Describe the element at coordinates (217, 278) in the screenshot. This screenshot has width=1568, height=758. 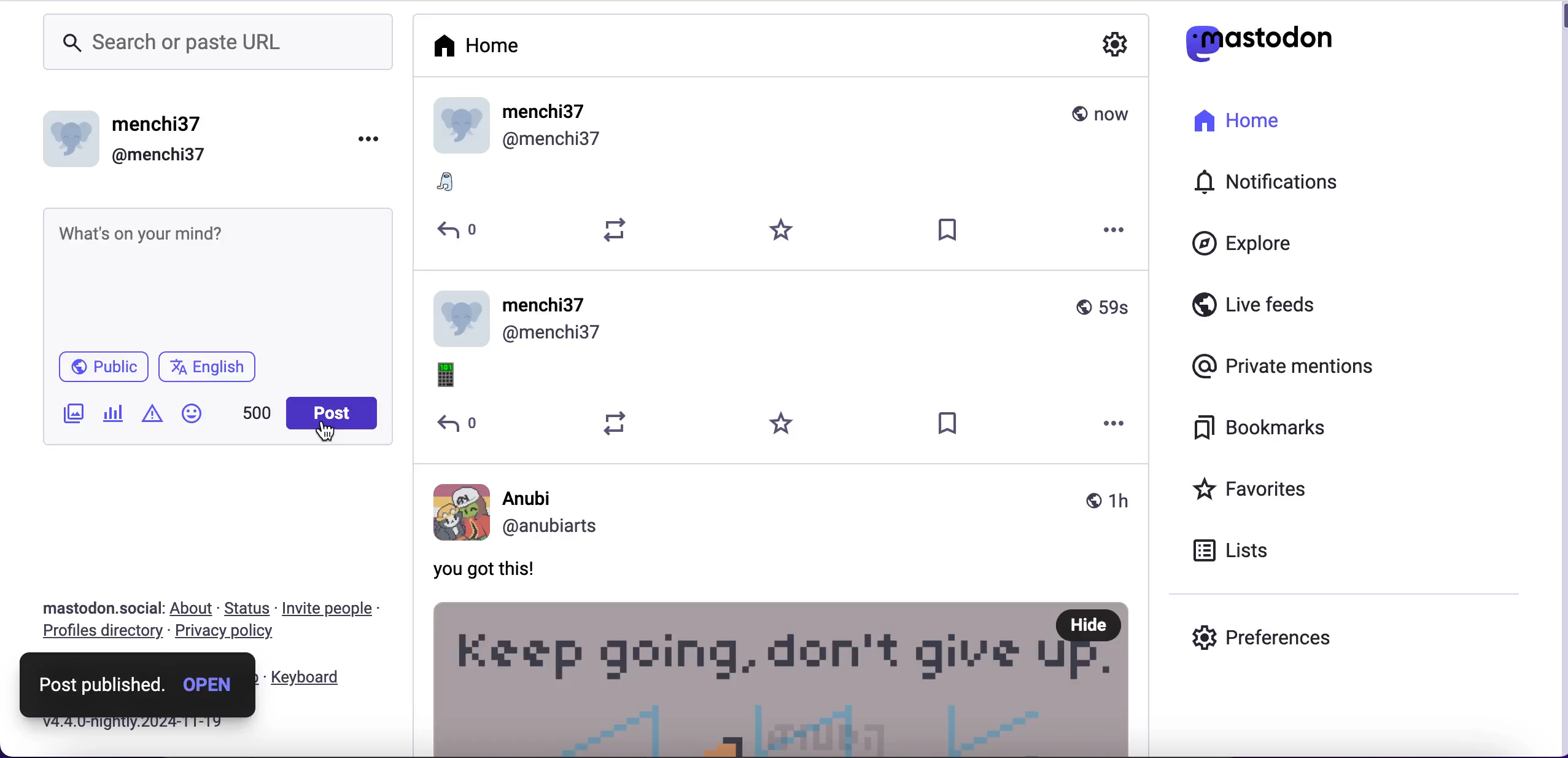
I see `what's on your mind?` at that location.